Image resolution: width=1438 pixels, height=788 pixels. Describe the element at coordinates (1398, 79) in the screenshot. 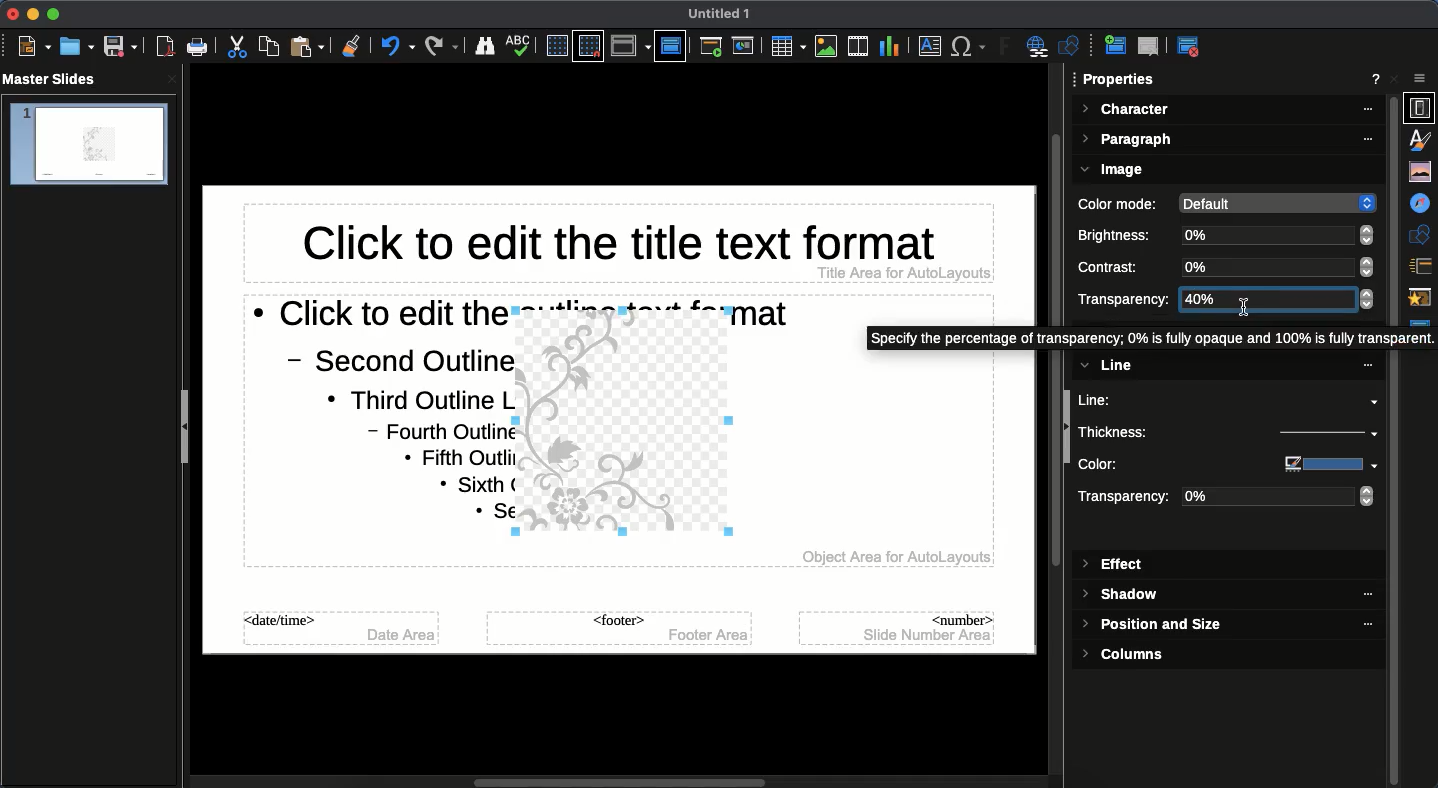

I see `Close` at that location.